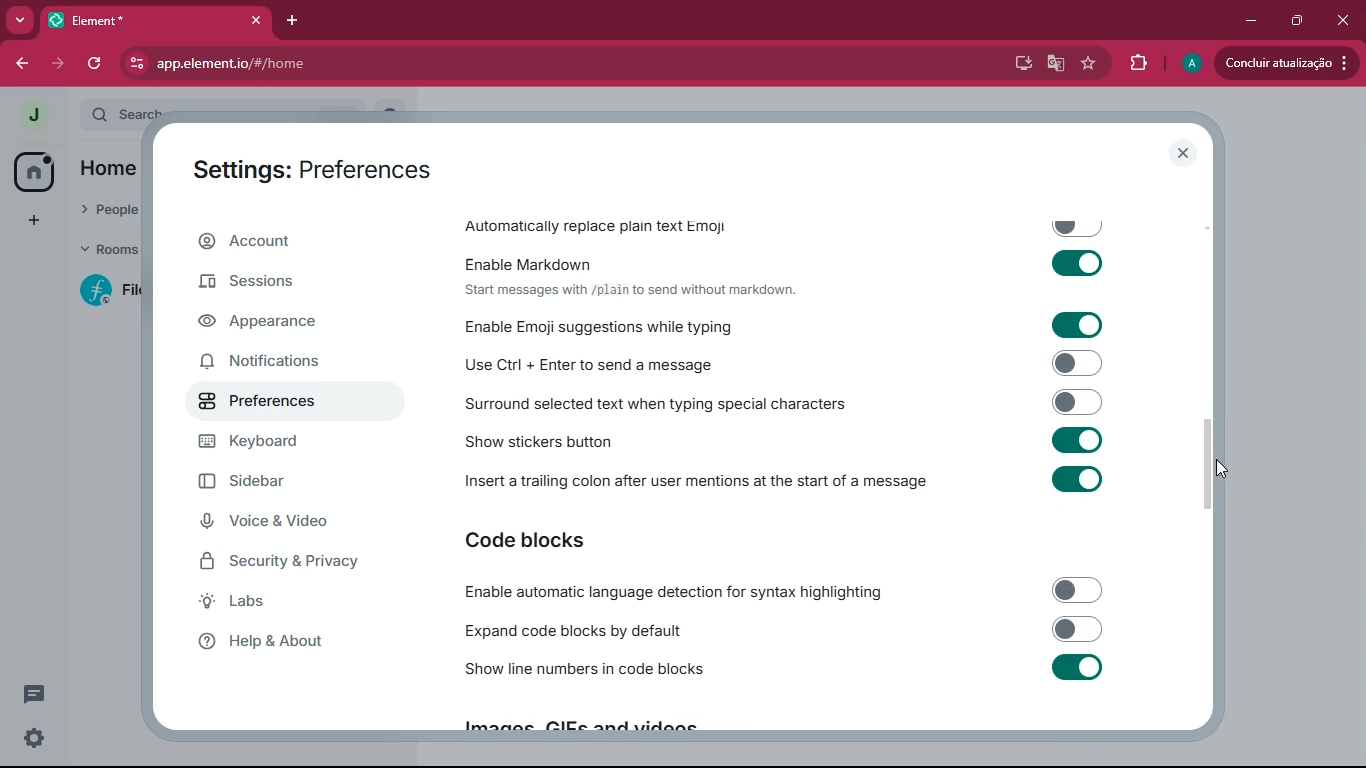 The width and height of the screenshot is (1366, 768). I want to click on people, so click(108, 213).